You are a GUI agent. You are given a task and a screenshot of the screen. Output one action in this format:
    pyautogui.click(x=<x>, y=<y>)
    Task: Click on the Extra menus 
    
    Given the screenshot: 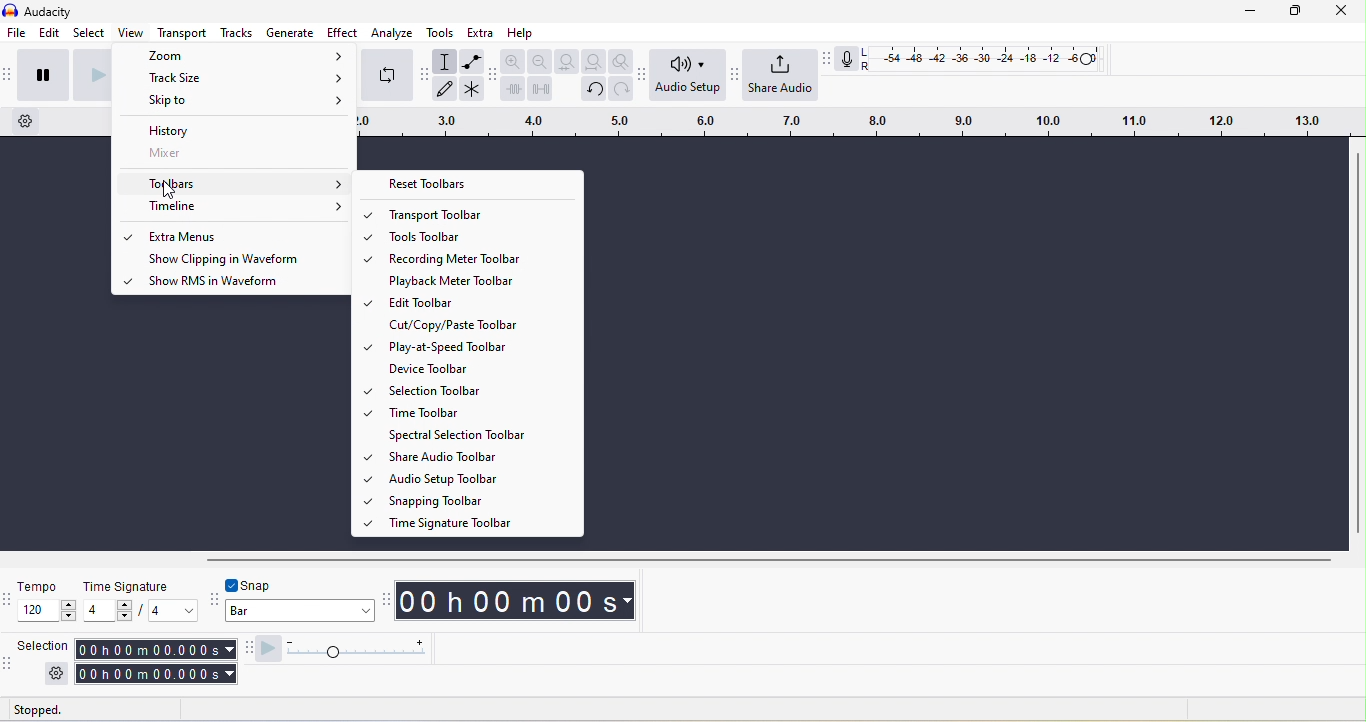 What is the action you would take?
    pyautogui.click(x=242, y=236)
    